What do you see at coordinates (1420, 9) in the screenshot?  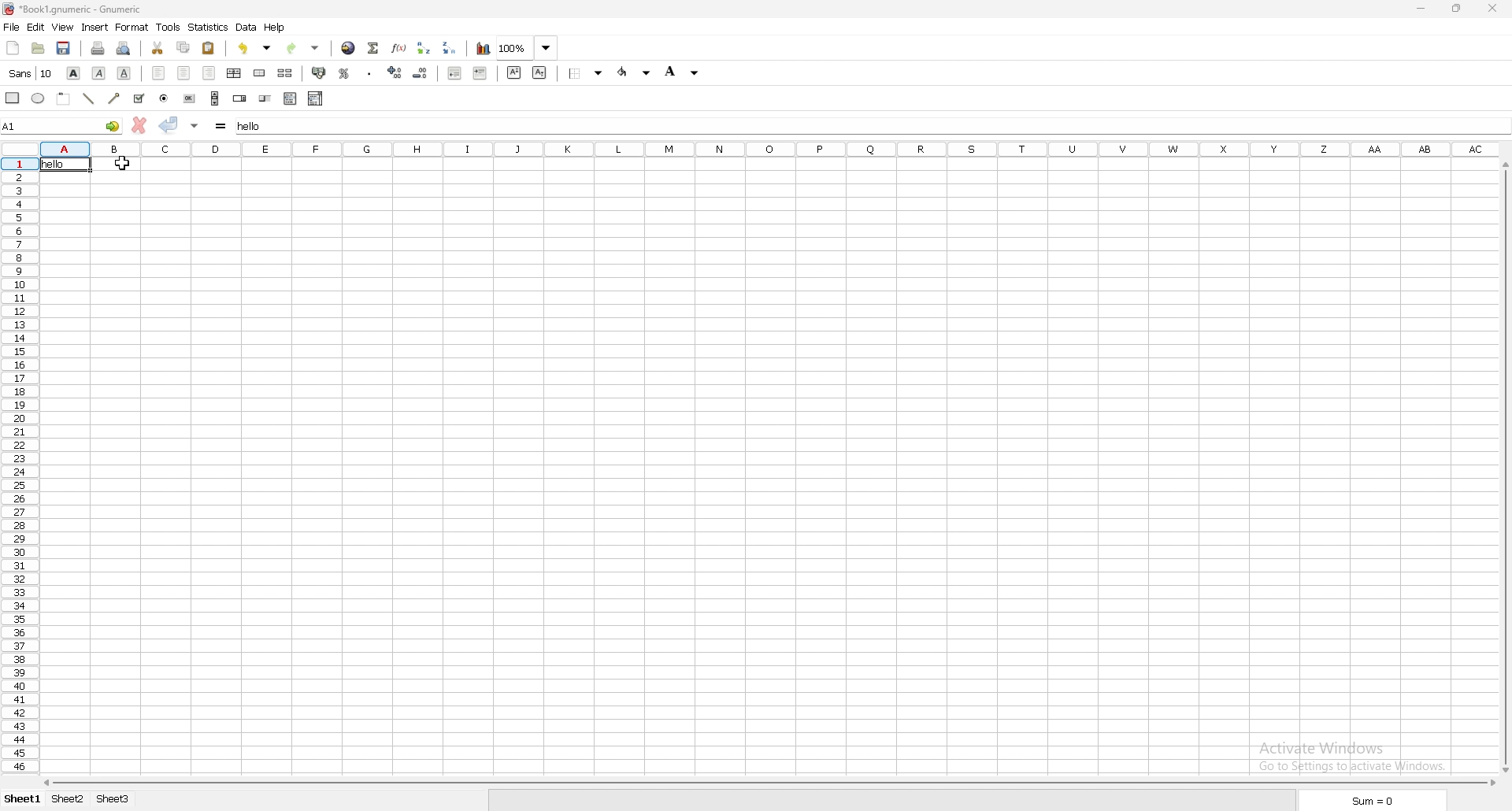 I see `minimize` at bounding box center [1420, 9].